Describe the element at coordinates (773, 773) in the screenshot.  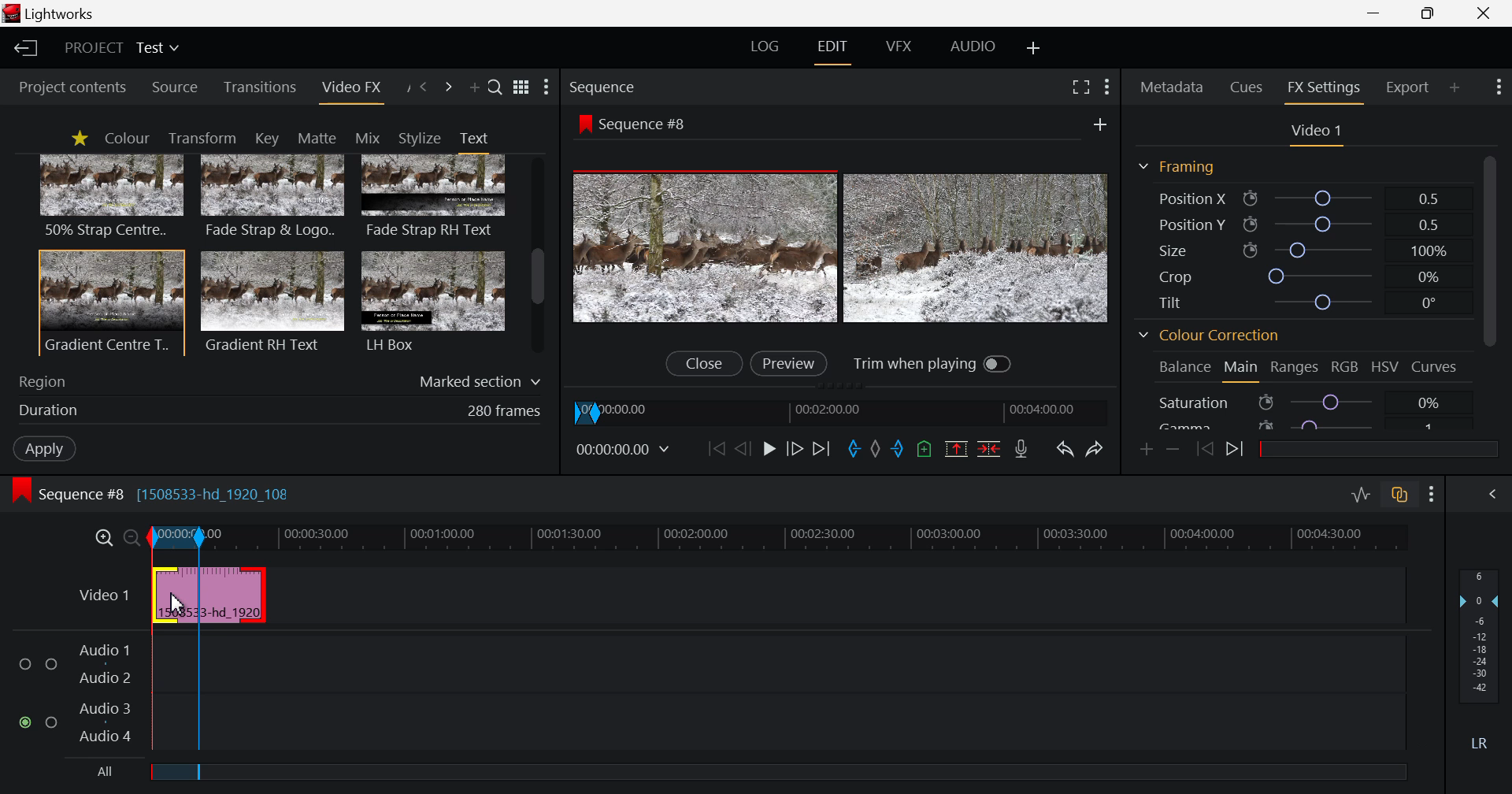
I see `All field` at that location.